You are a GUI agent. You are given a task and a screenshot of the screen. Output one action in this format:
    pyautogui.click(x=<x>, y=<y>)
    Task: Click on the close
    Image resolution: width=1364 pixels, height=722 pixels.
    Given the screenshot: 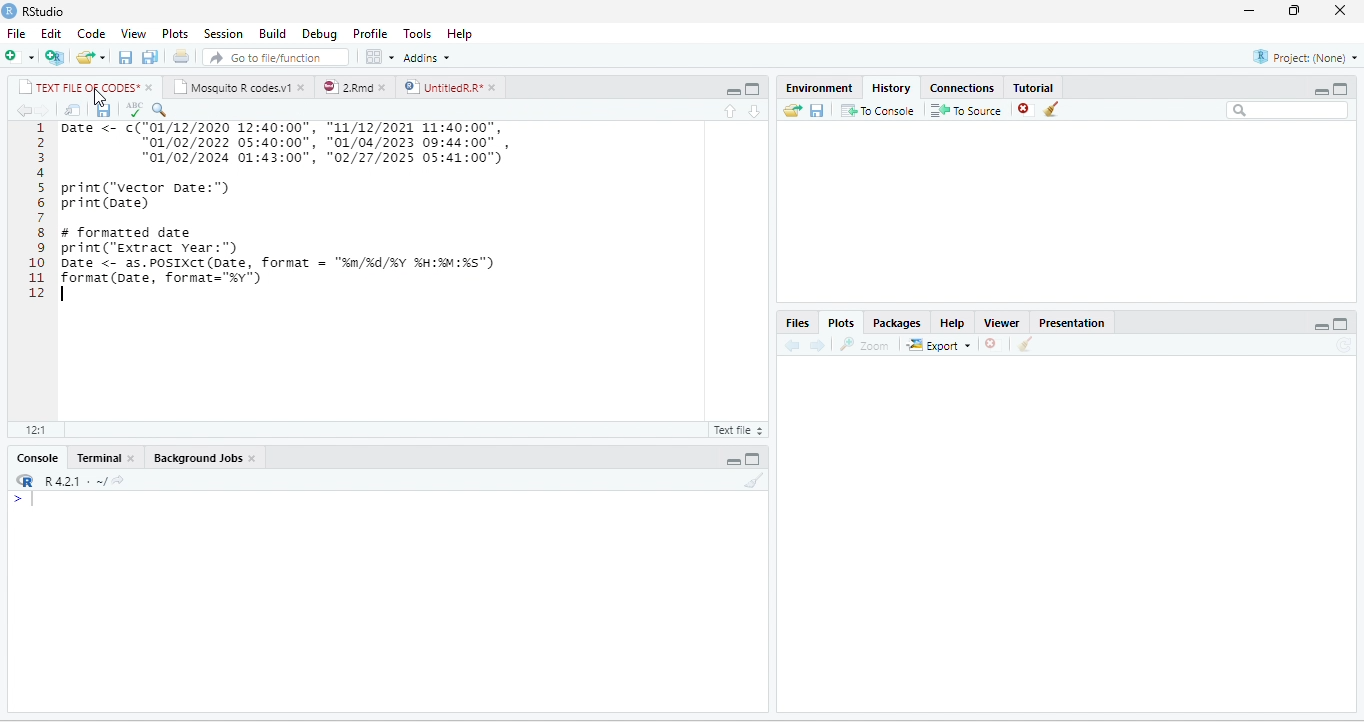 What is the action you would take?
    pyautogui.click(x=132, y=457)
    